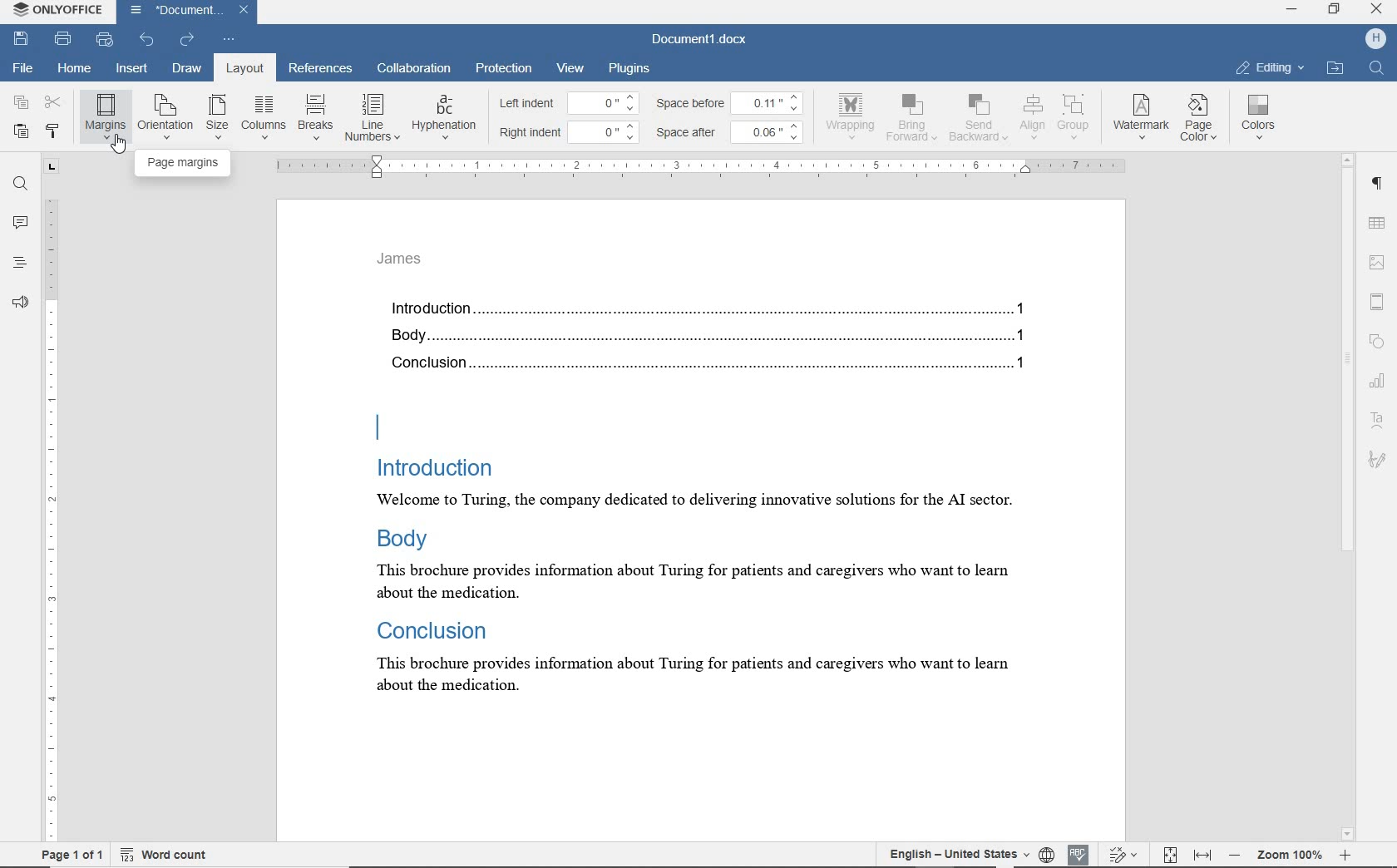  Describe the element at coordinates (531, 133) in the screenshot. I see `right indent` at that location.